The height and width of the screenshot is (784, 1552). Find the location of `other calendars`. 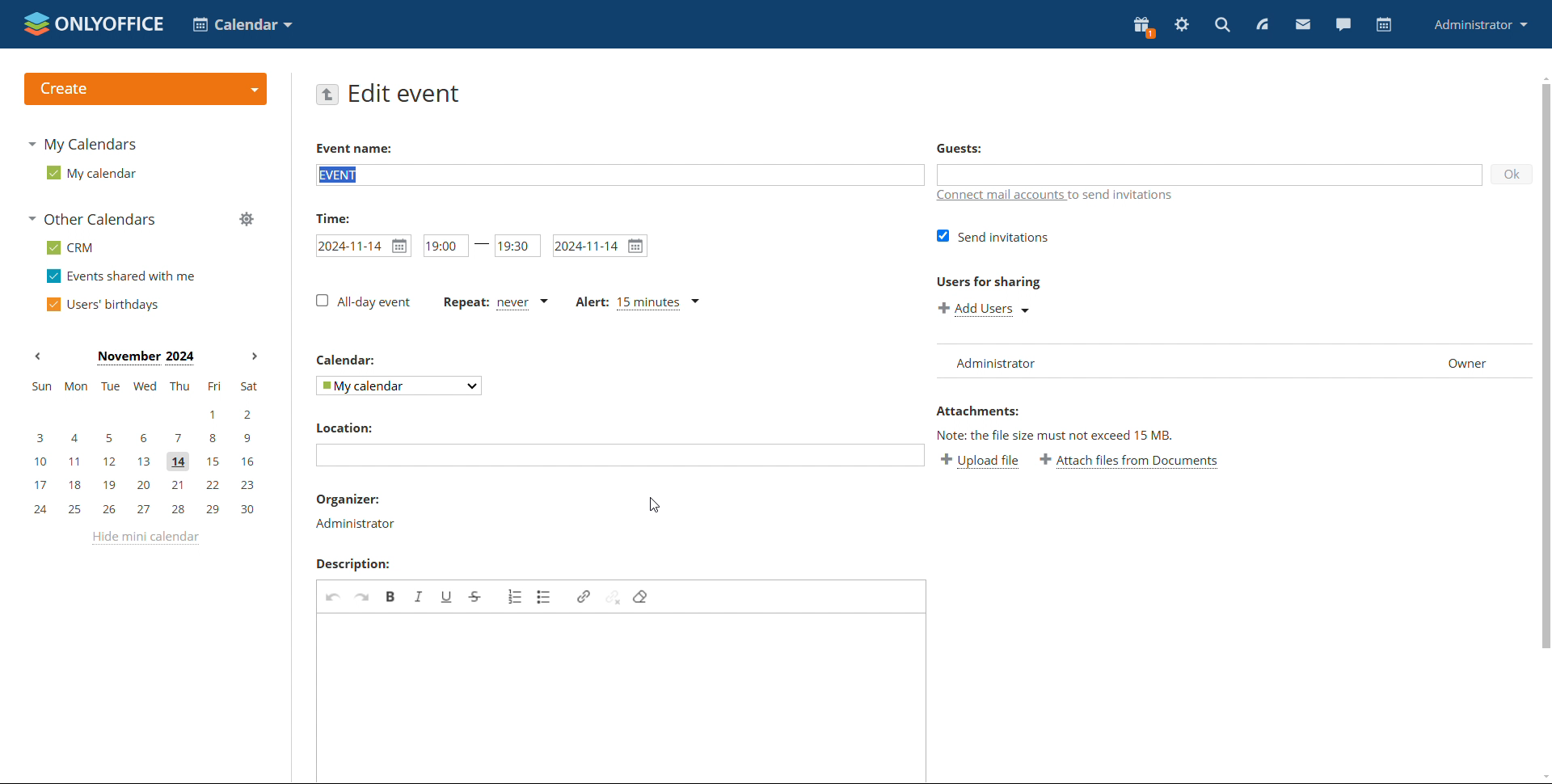

other calendars is located at coordinates (92, 218).